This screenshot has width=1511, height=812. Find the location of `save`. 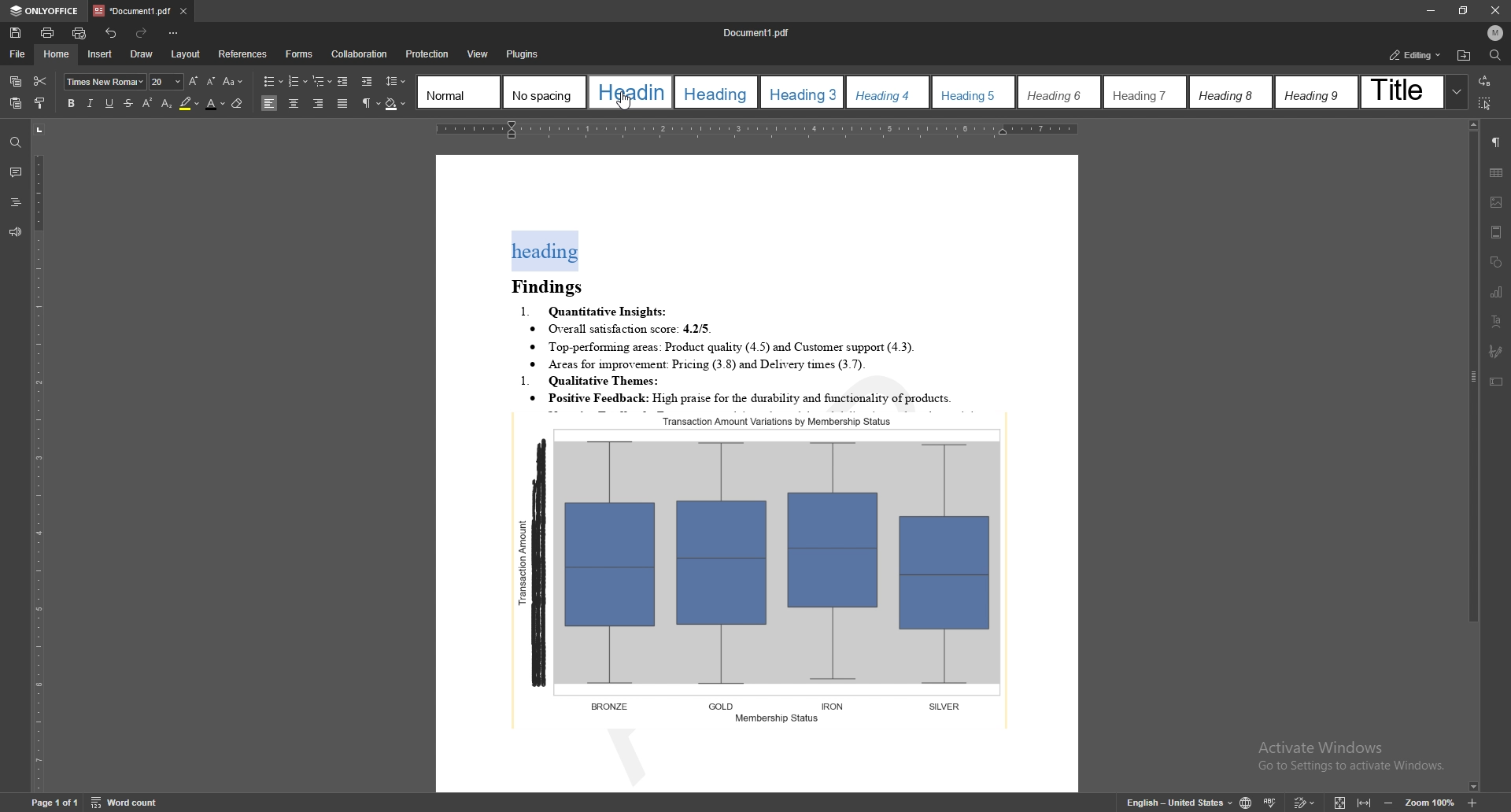

save is located at coordinates (15, 34).